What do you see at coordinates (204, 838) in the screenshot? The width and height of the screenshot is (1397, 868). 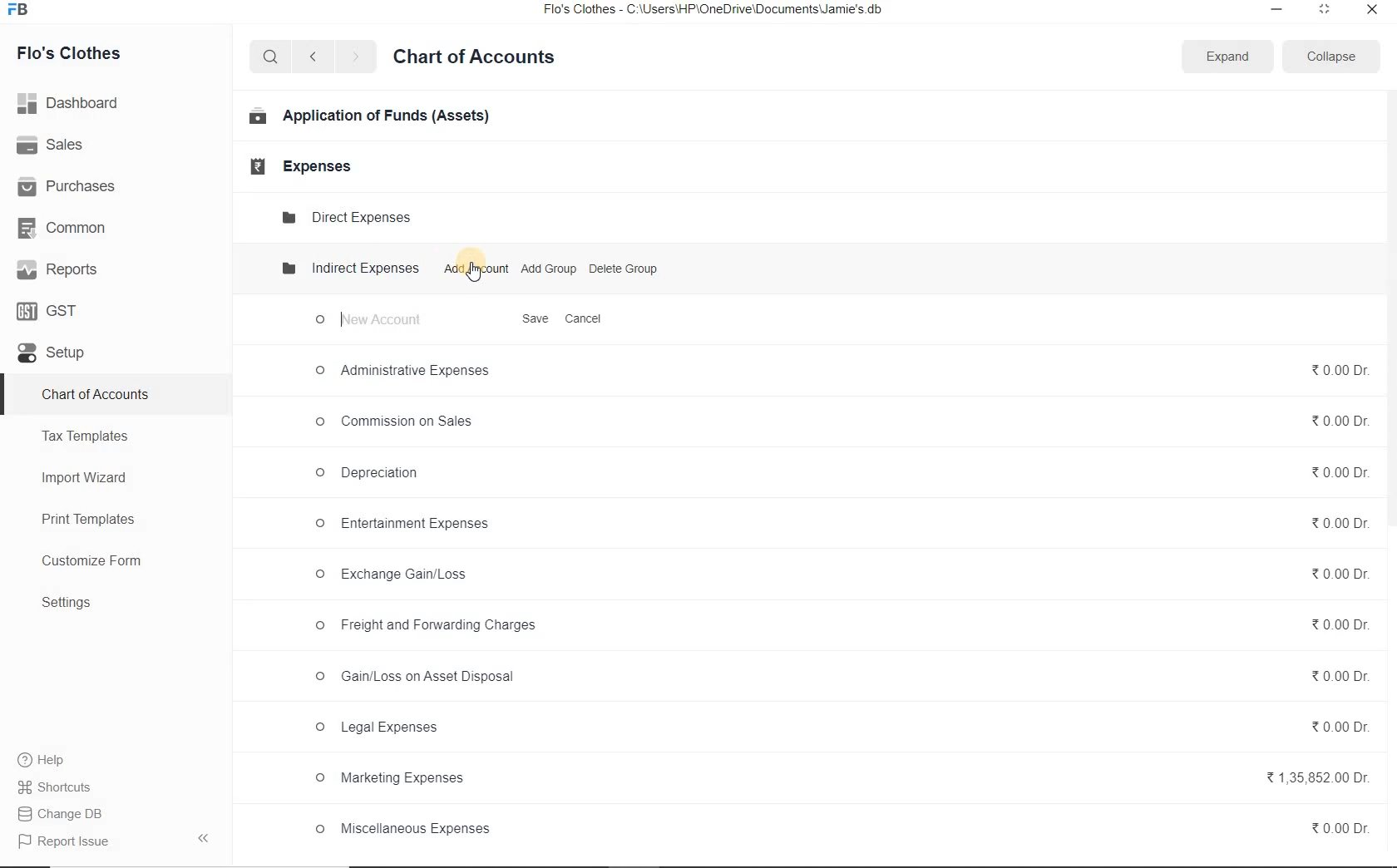 I see `hide` at bounding box center [204, 838].